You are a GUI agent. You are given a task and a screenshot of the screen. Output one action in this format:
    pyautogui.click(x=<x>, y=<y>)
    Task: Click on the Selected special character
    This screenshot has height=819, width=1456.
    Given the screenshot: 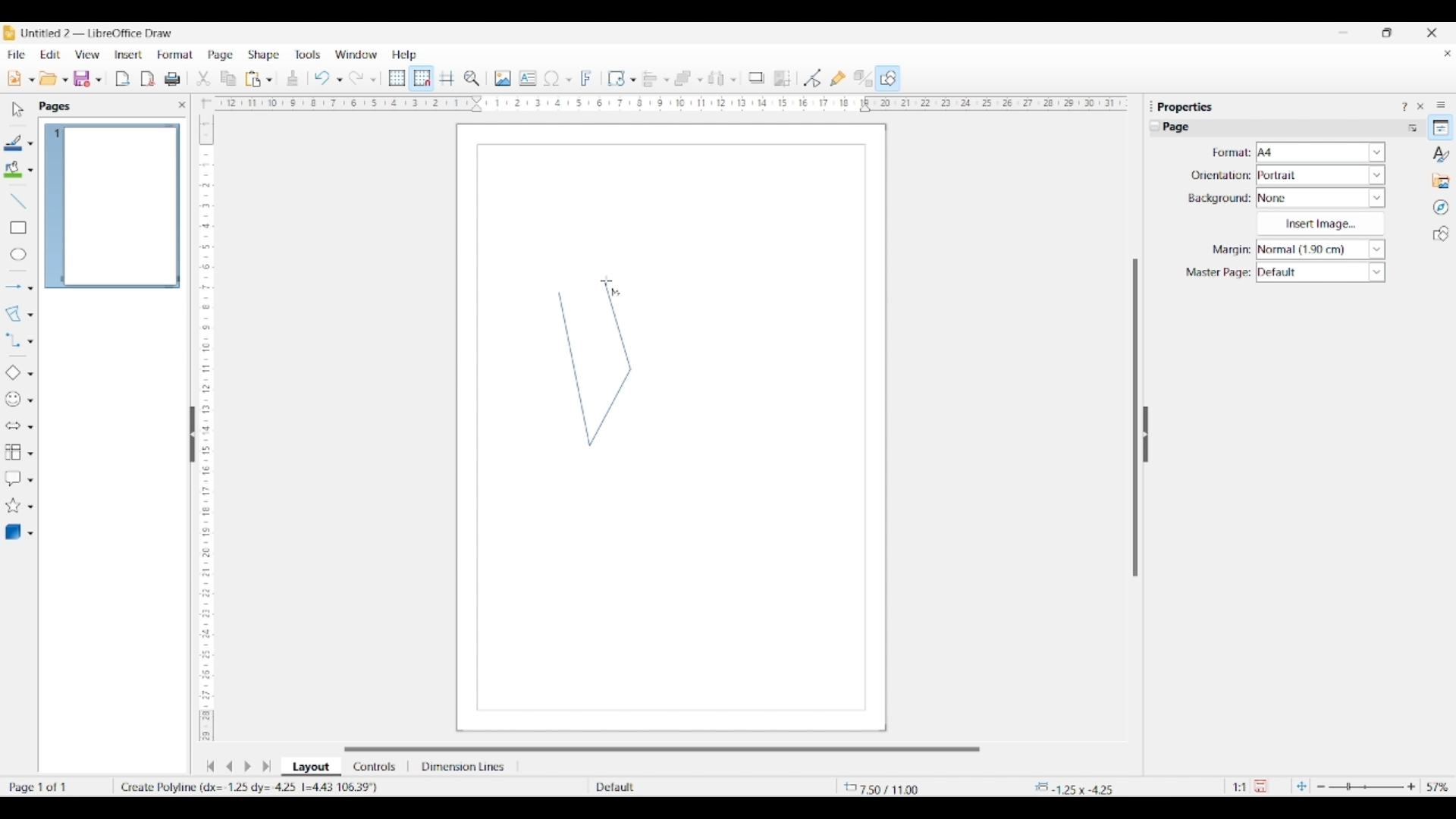 What is the action you would take?
    pyautogui.click(x=552, y=78)
    